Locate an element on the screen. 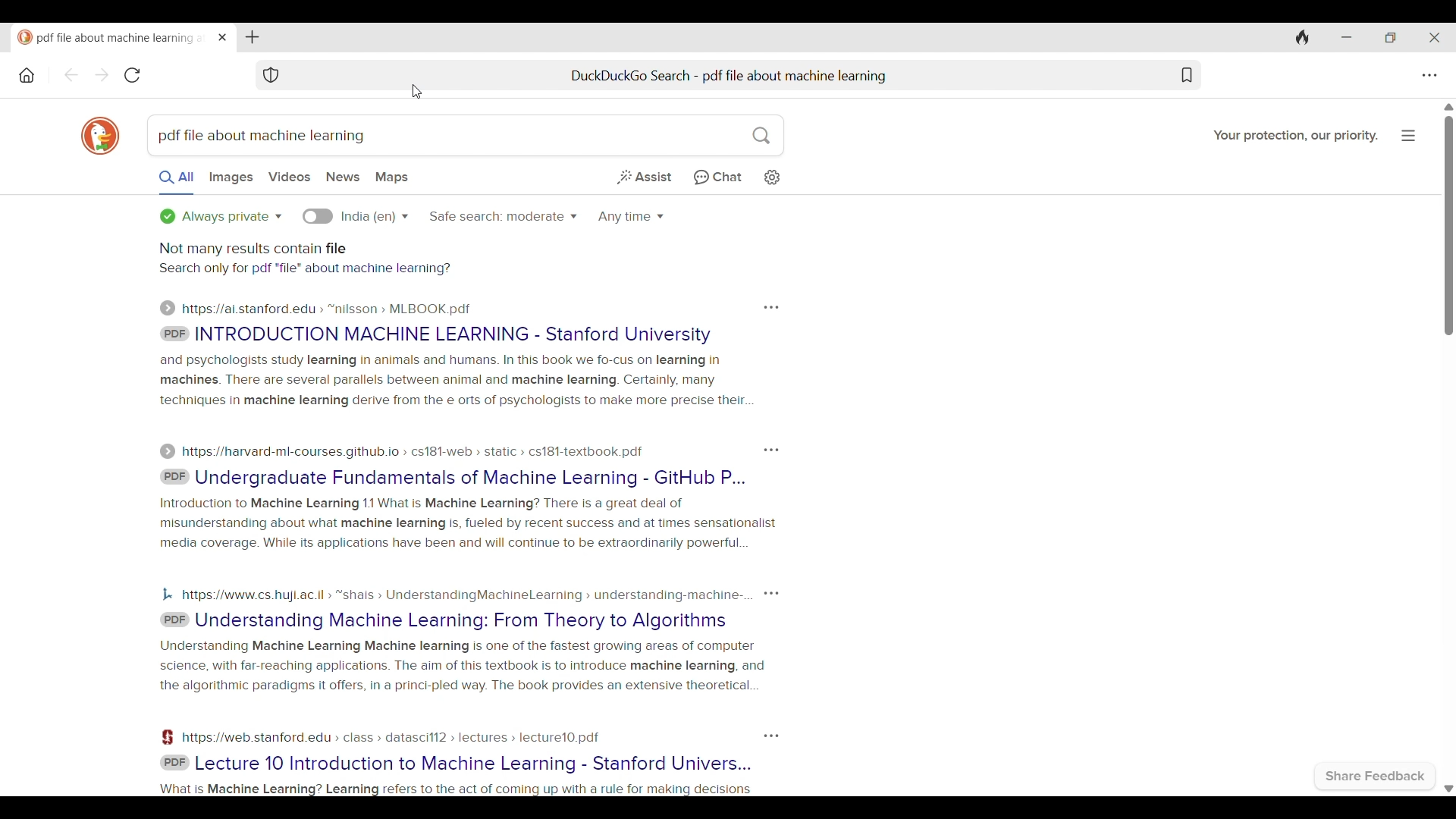 The height and width of the screenshot is (819, 1456). Search only for pdf "file" about machine learning? is located at coordinates (305, 268).